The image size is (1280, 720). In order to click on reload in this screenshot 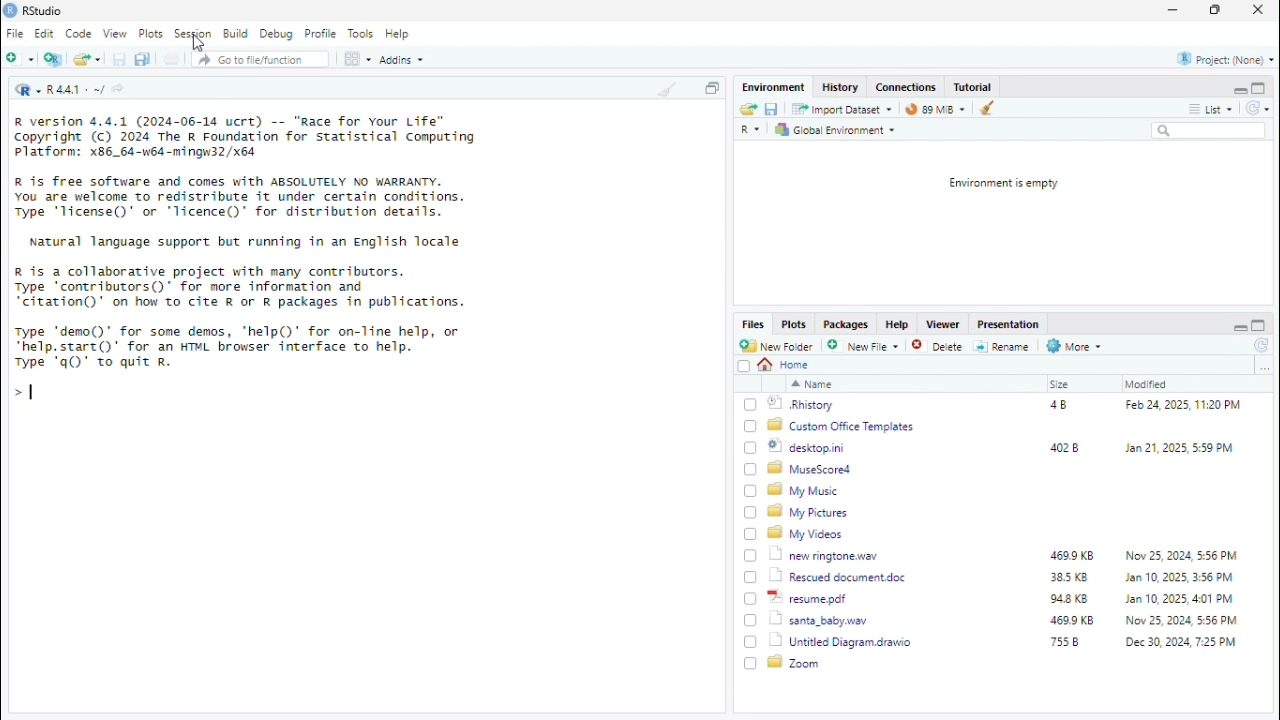, I will do `click(1263, 346)`.